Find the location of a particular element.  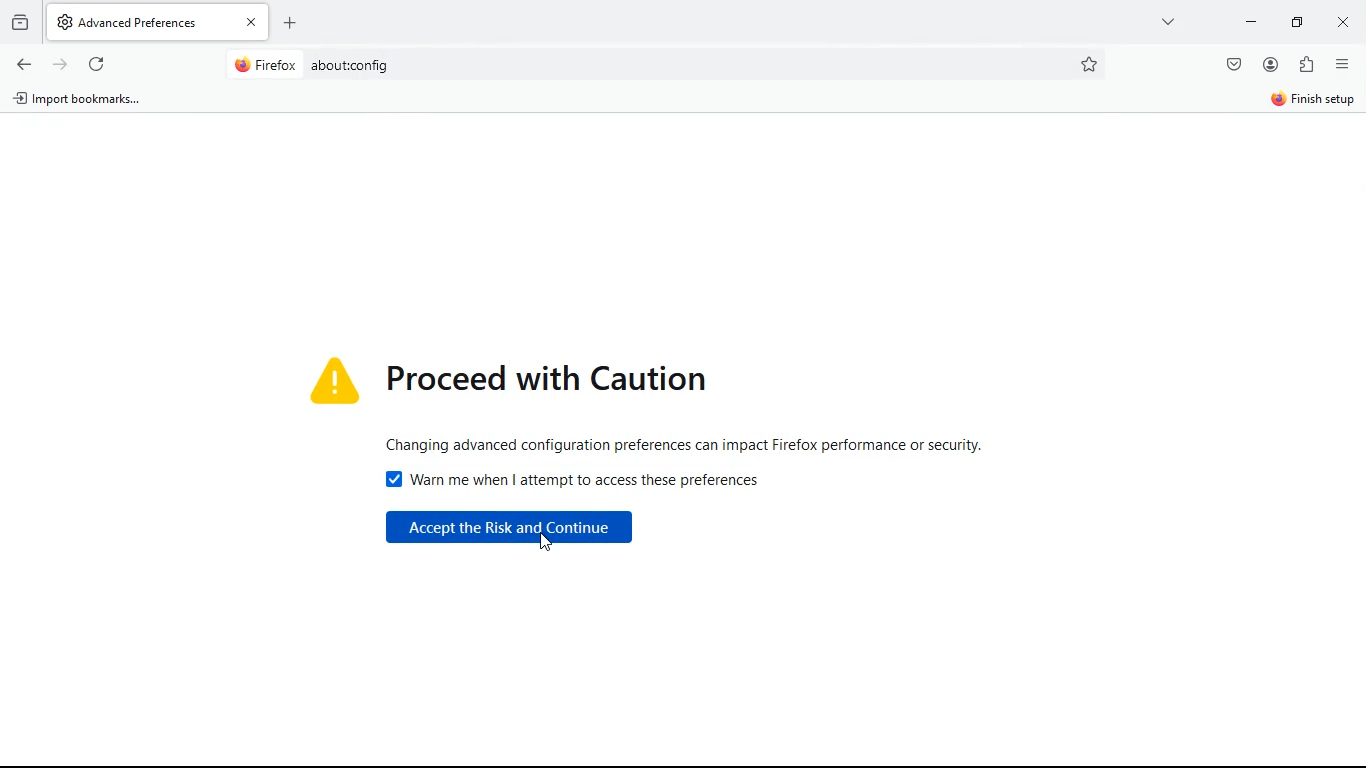

options is located at coordinates (1343, 67).